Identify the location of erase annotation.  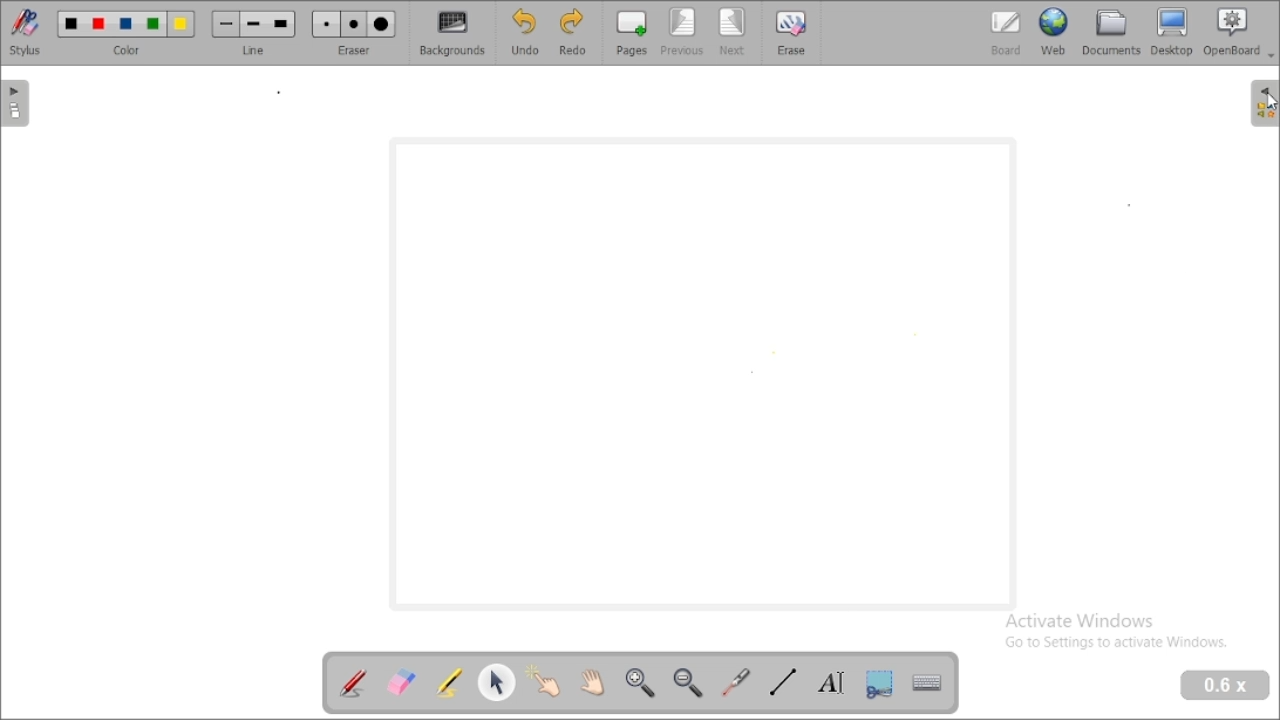
(402, 681).